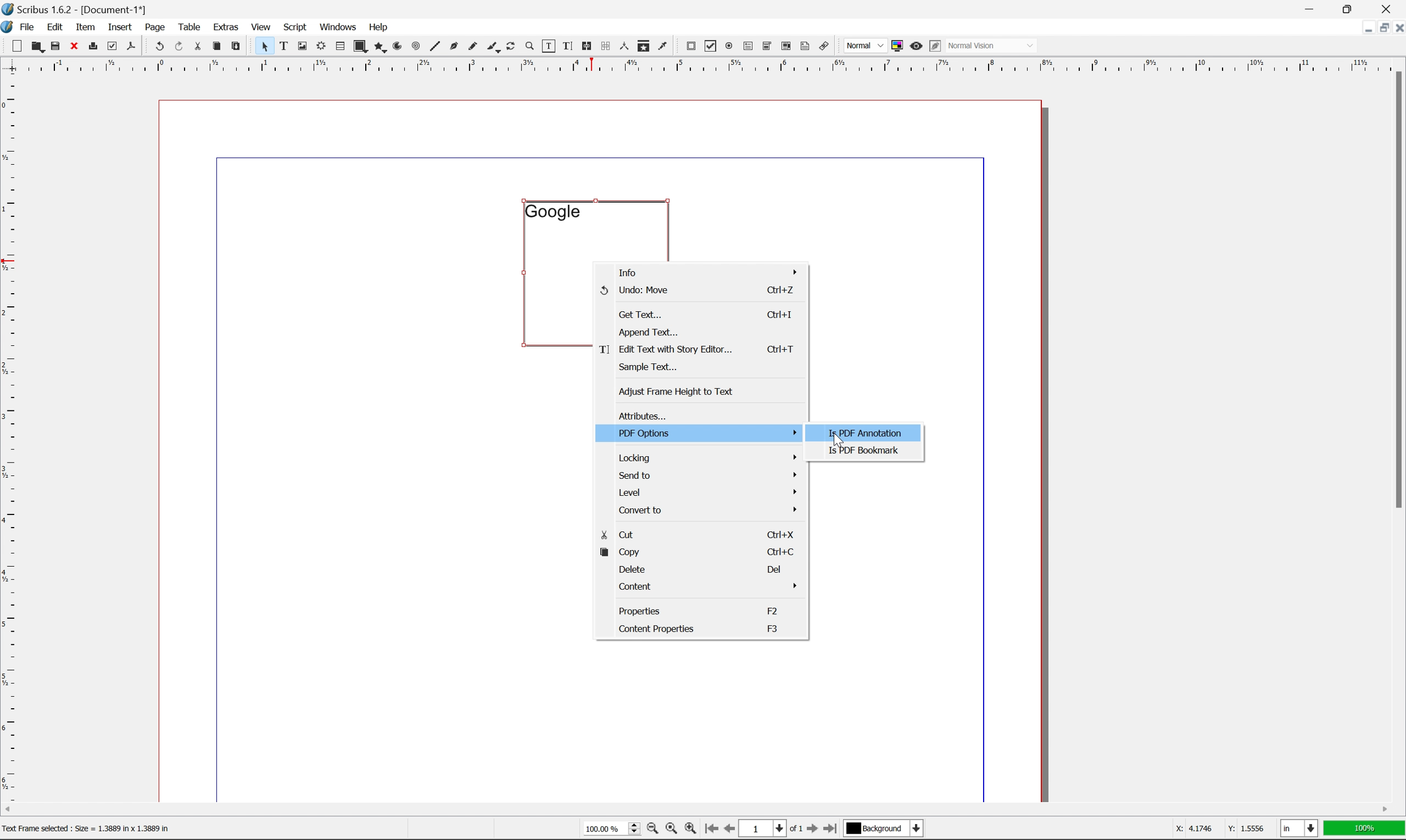 The height and width of the screenshot is (840, 1406). What do you see at coordinates (454, 46) in the screenshot?
I see `bezier curve` at bounding box center [454, 46].